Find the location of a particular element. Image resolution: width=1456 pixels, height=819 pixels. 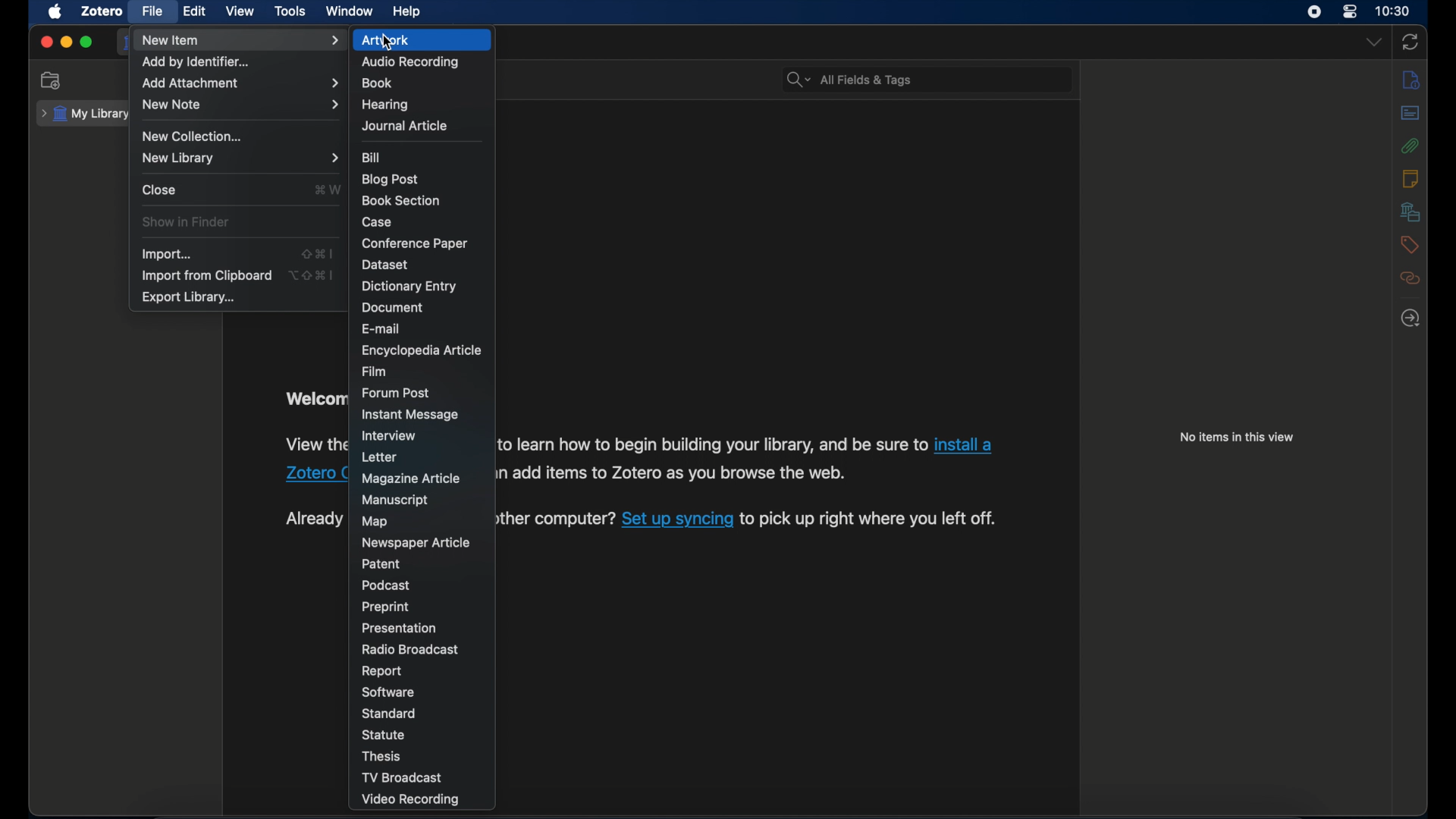

obscure text is located at coordinates (313, 396).